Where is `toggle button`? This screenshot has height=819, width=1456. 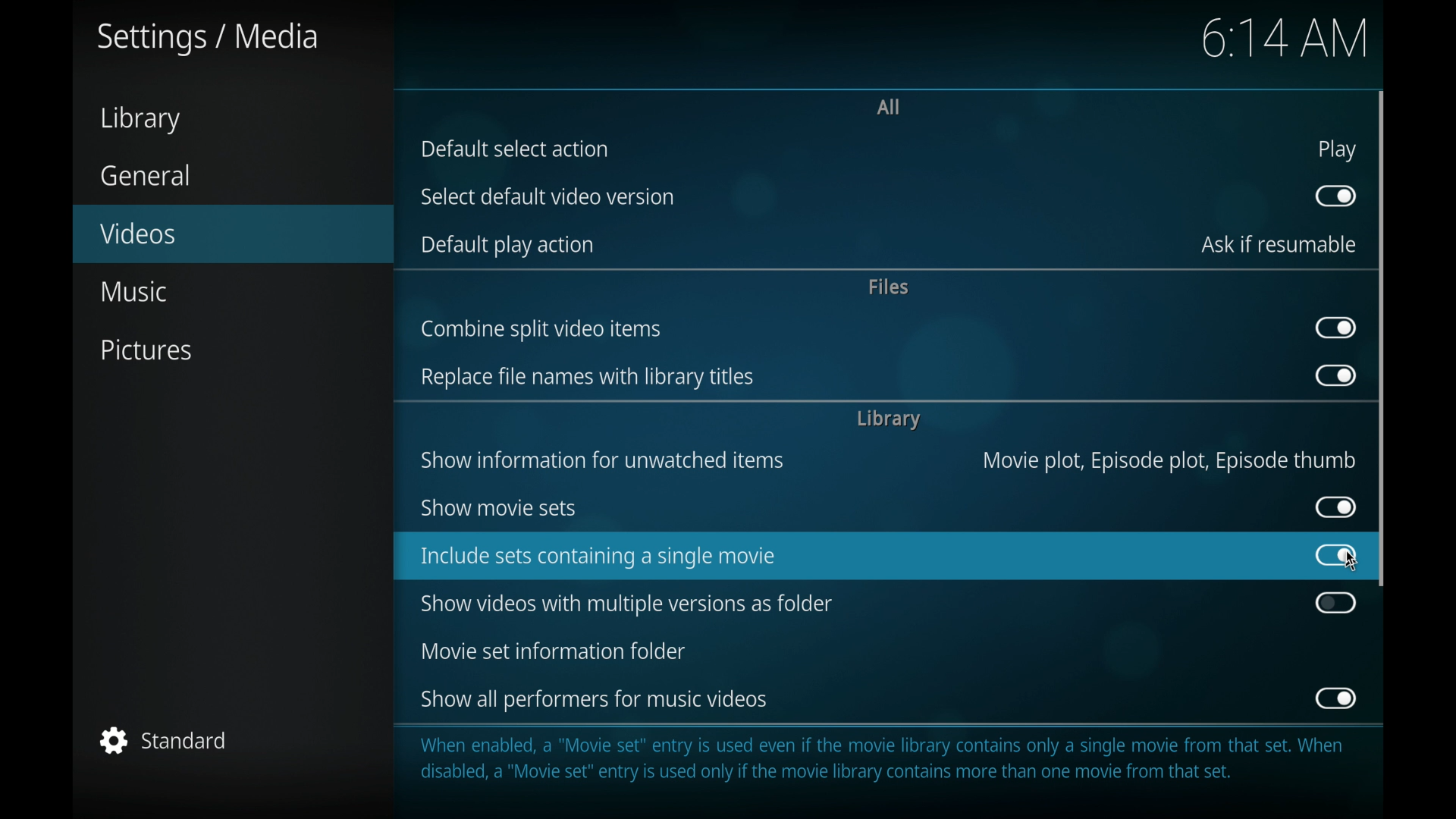
toggle button is located at coordinates (1335, 603).